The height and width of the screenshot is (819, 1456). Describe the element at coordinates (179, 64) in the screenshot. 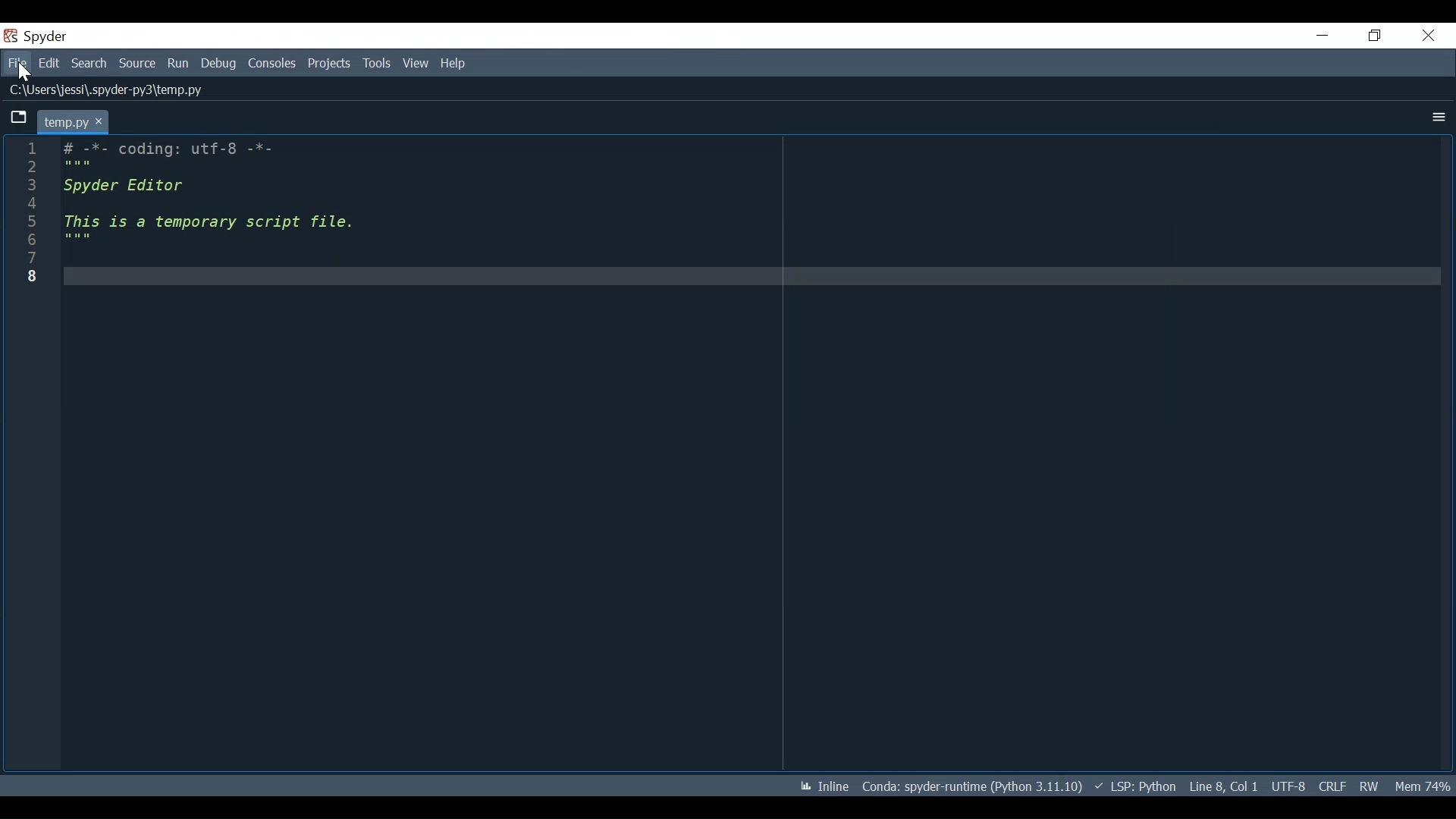

I see `Run` at that location.